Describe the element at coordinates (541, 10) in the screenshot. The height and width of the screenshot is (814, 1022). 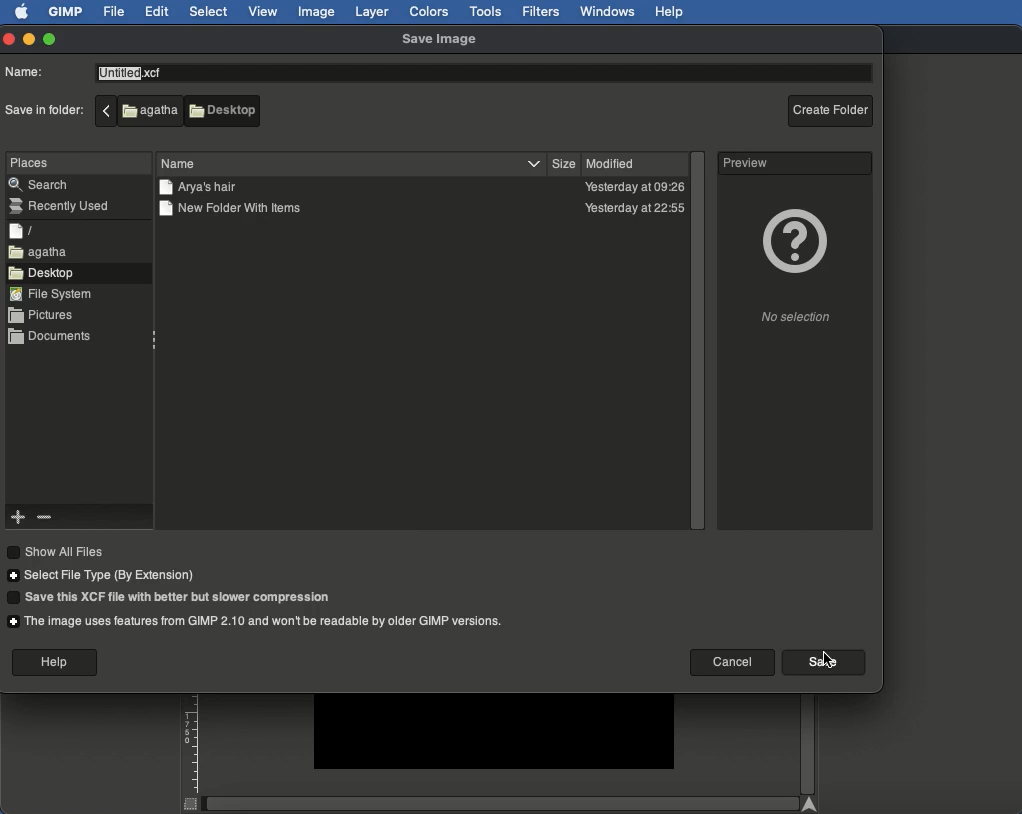
I see `Filters` at that location.